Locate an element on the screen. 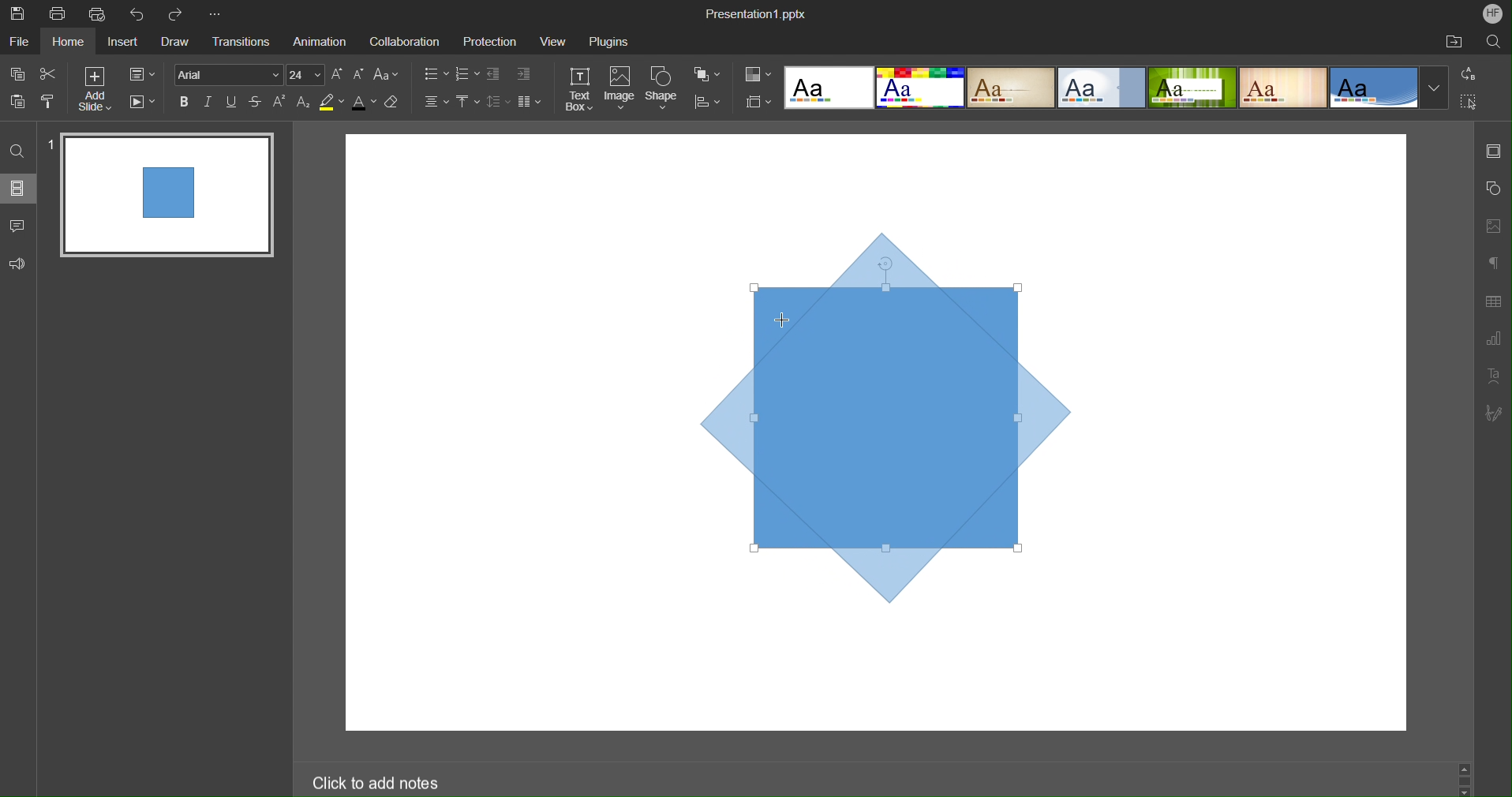 Image resolution: width=1512 pixels, height=797 pixels. Quick Print is located at coordinates (97, 12).